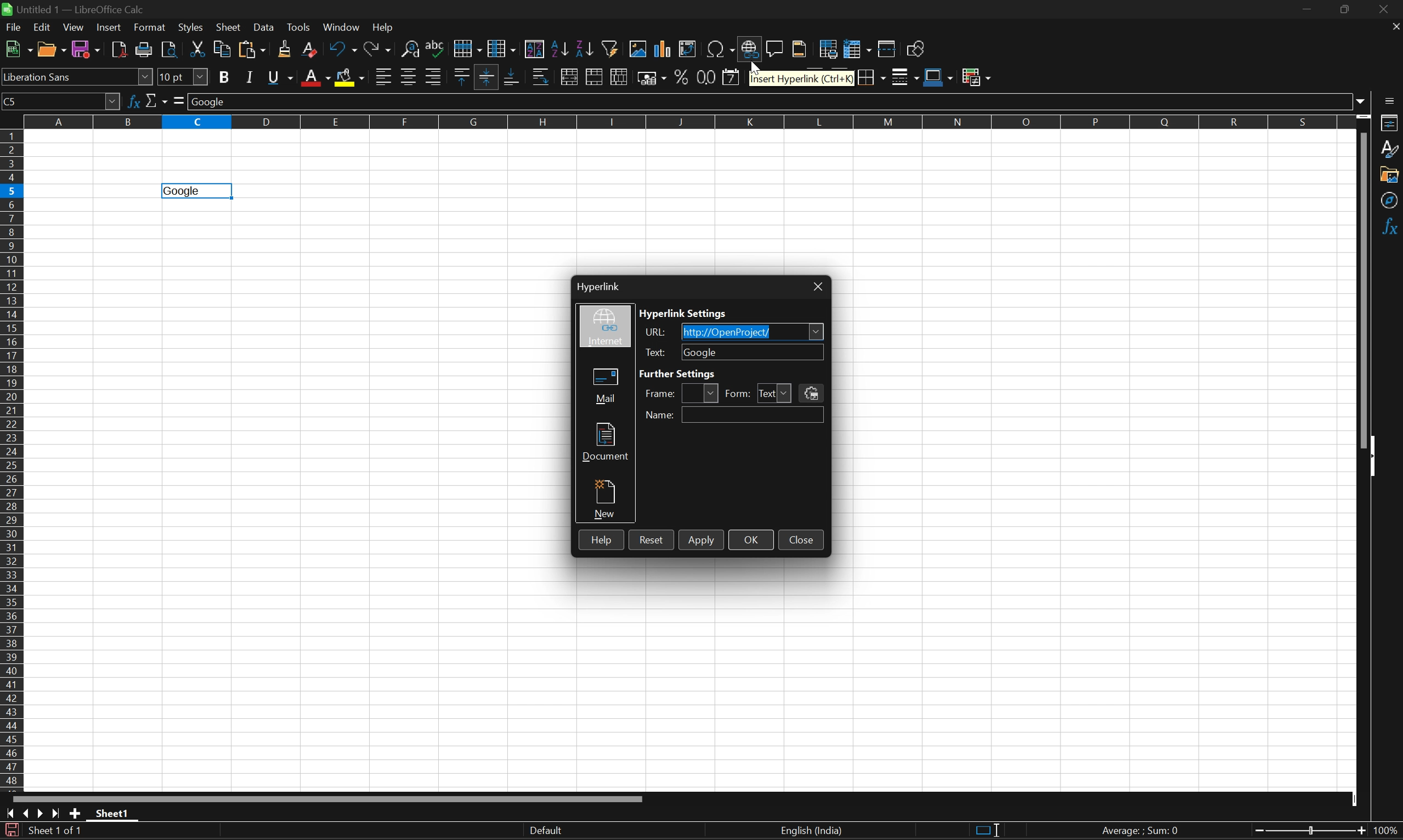  What do you see at coordinates (119, 49) in the screenshot?
I see `Export directly as PDF` at bounding box center [119, 49].